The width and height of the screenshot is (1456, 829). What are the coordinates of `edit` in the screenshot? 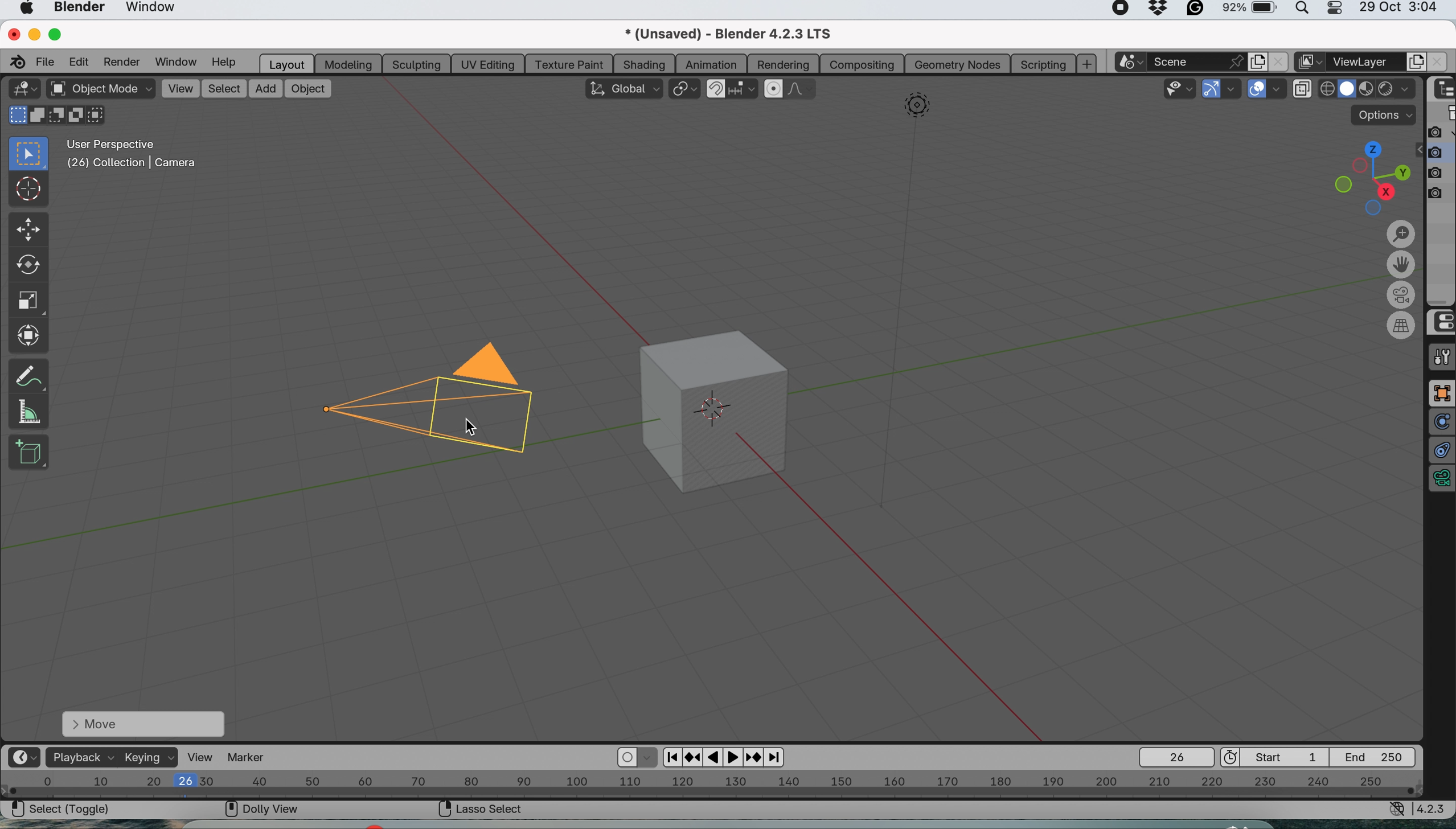 It's located at (81, 61).